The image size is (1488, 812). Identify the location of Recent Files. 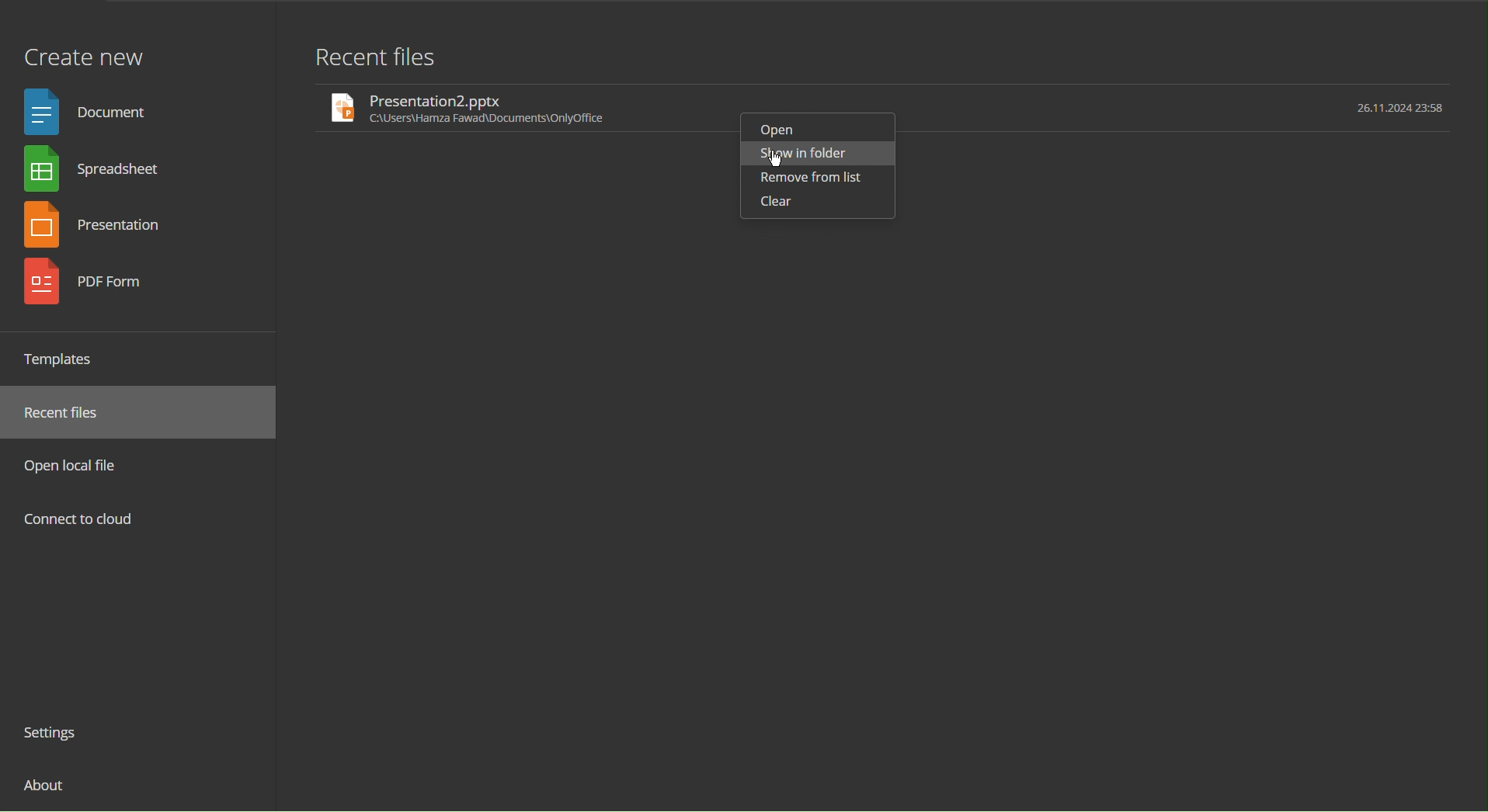
(375, 55).